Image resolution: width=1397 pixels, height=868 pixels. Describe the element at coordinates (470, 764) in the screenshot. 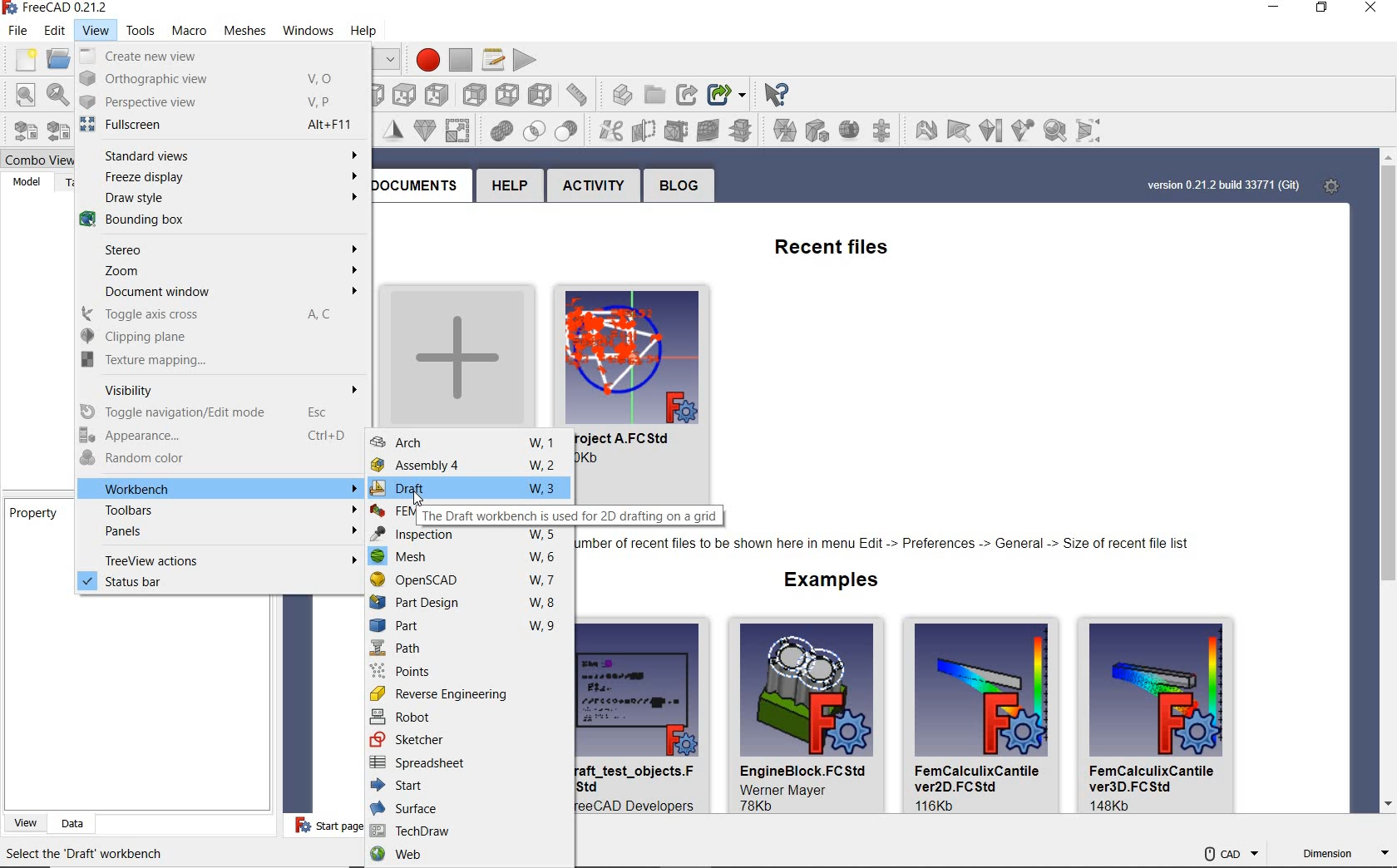

I see `spreadsheet` at that location.